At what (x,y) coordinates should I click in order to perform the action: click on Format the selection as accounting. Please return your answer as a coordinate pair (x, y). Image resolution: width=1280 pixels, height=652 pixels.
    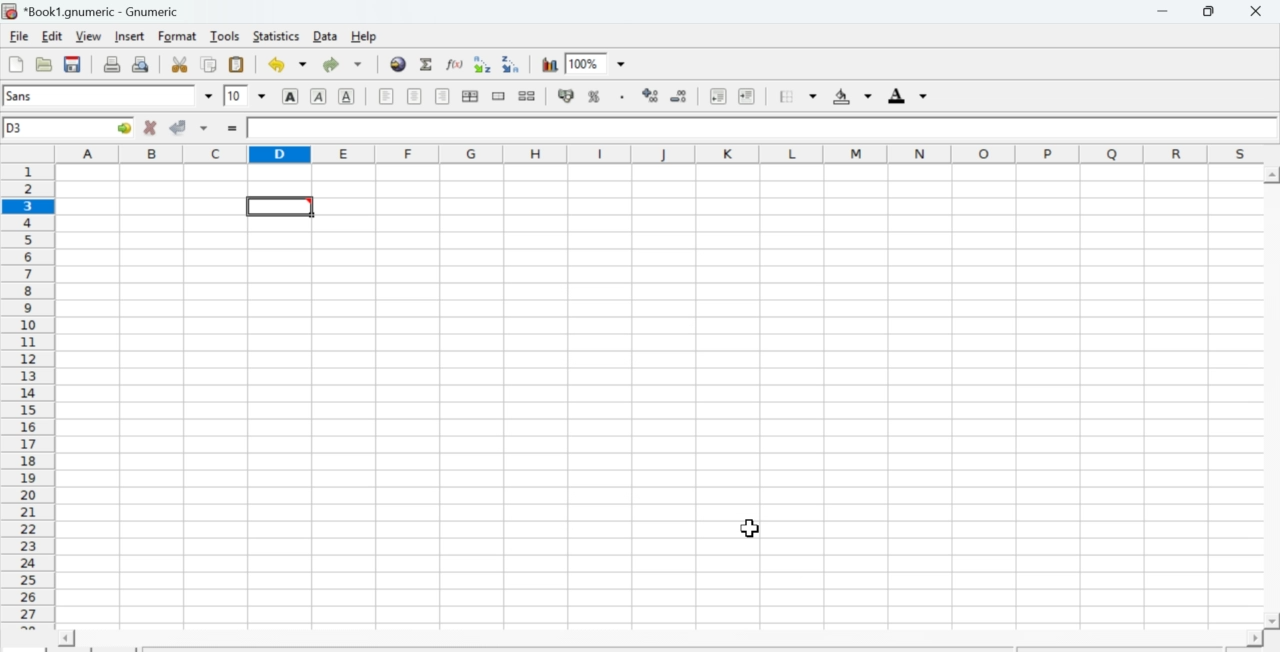
    Looking at the image, I should click on (566, 95).